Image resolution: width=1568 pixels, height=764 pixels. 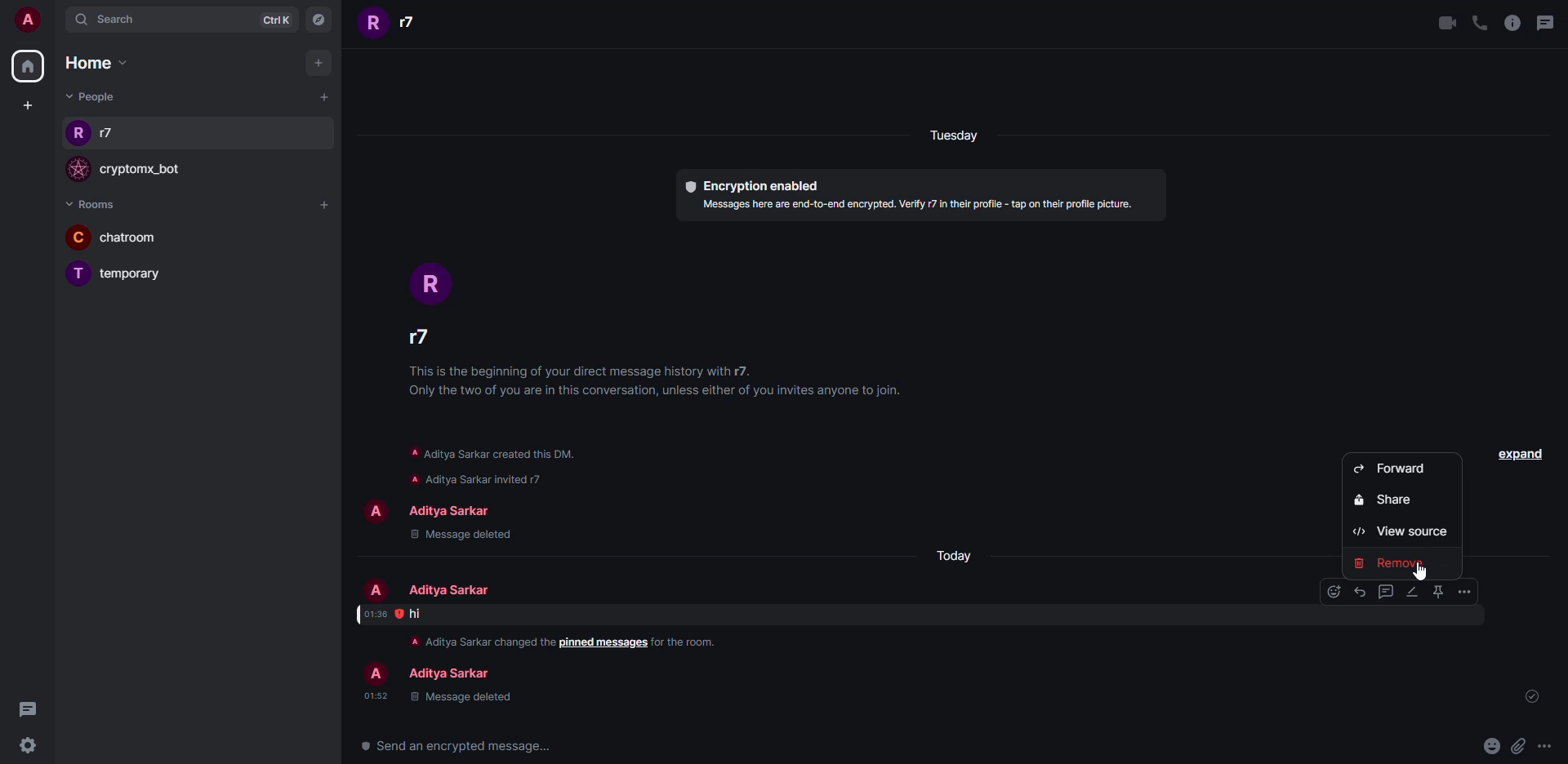 I want to click on profile, so click(x=76, y=170).